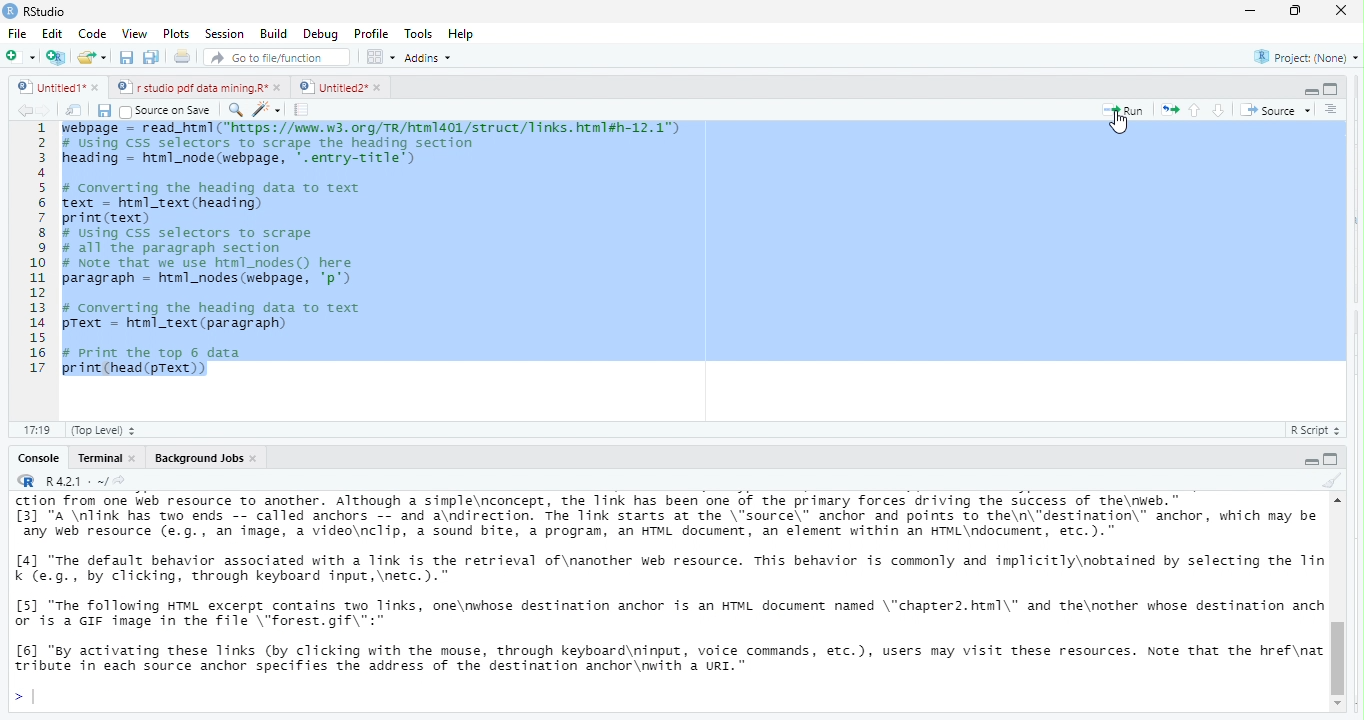 The image size is (1364, 720). I want to click on Plots, so click(175, 34).